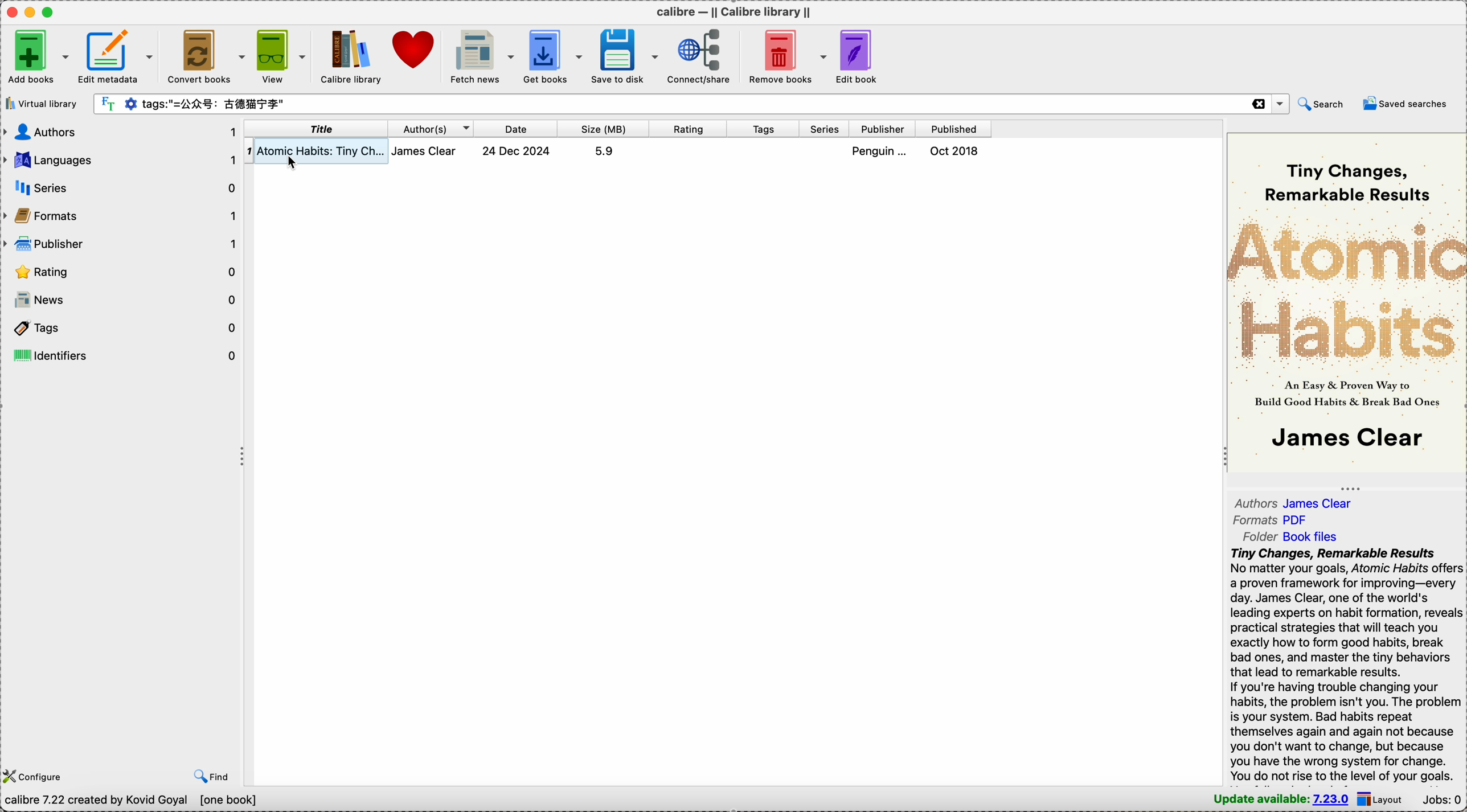  Describe the element at coordinates (956, 129) in the screenshot. I see `published` at that location.